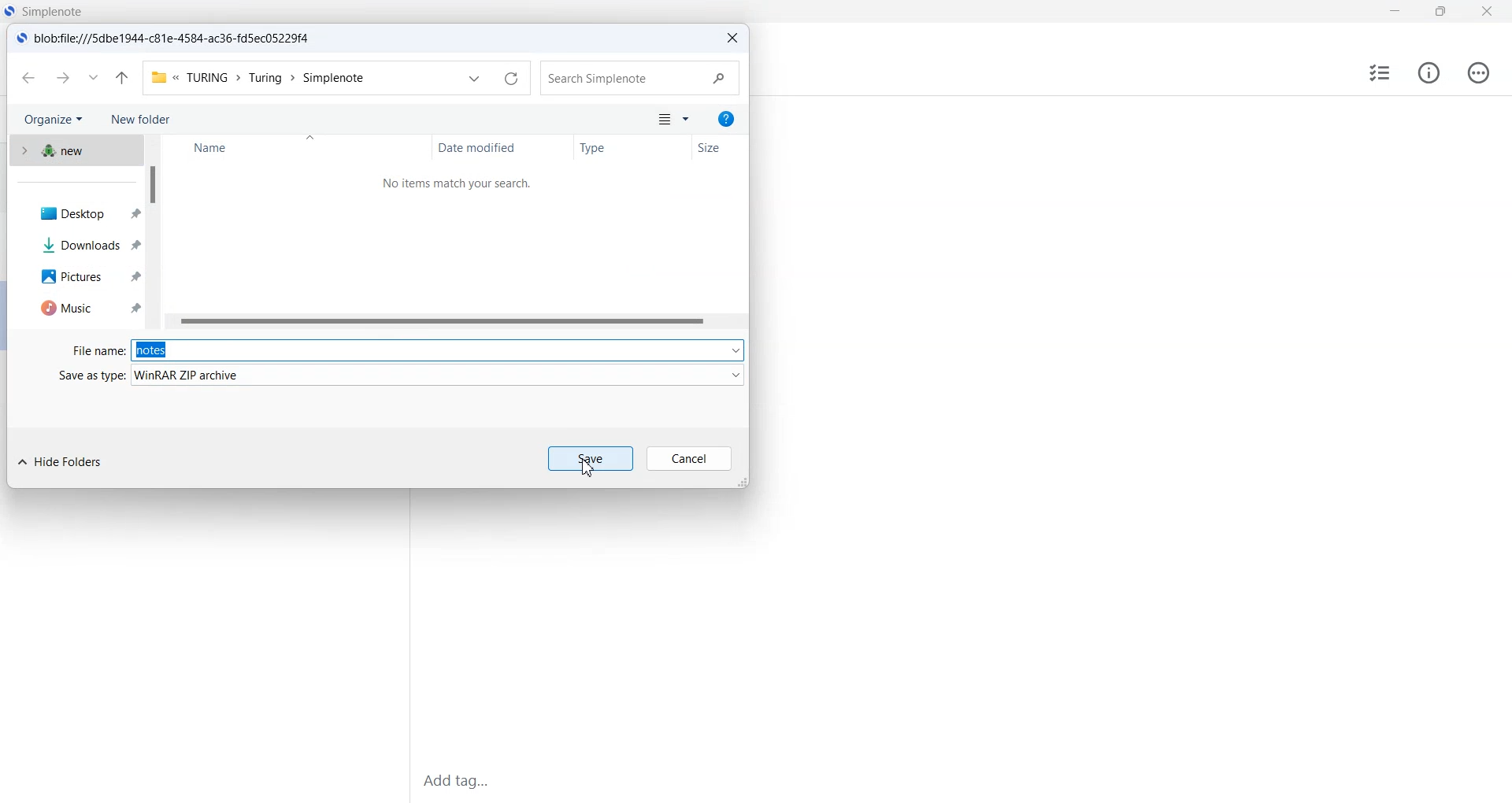  Describe the element at coordinates (687, 120) in the screenshot. I see `More option` at that location.